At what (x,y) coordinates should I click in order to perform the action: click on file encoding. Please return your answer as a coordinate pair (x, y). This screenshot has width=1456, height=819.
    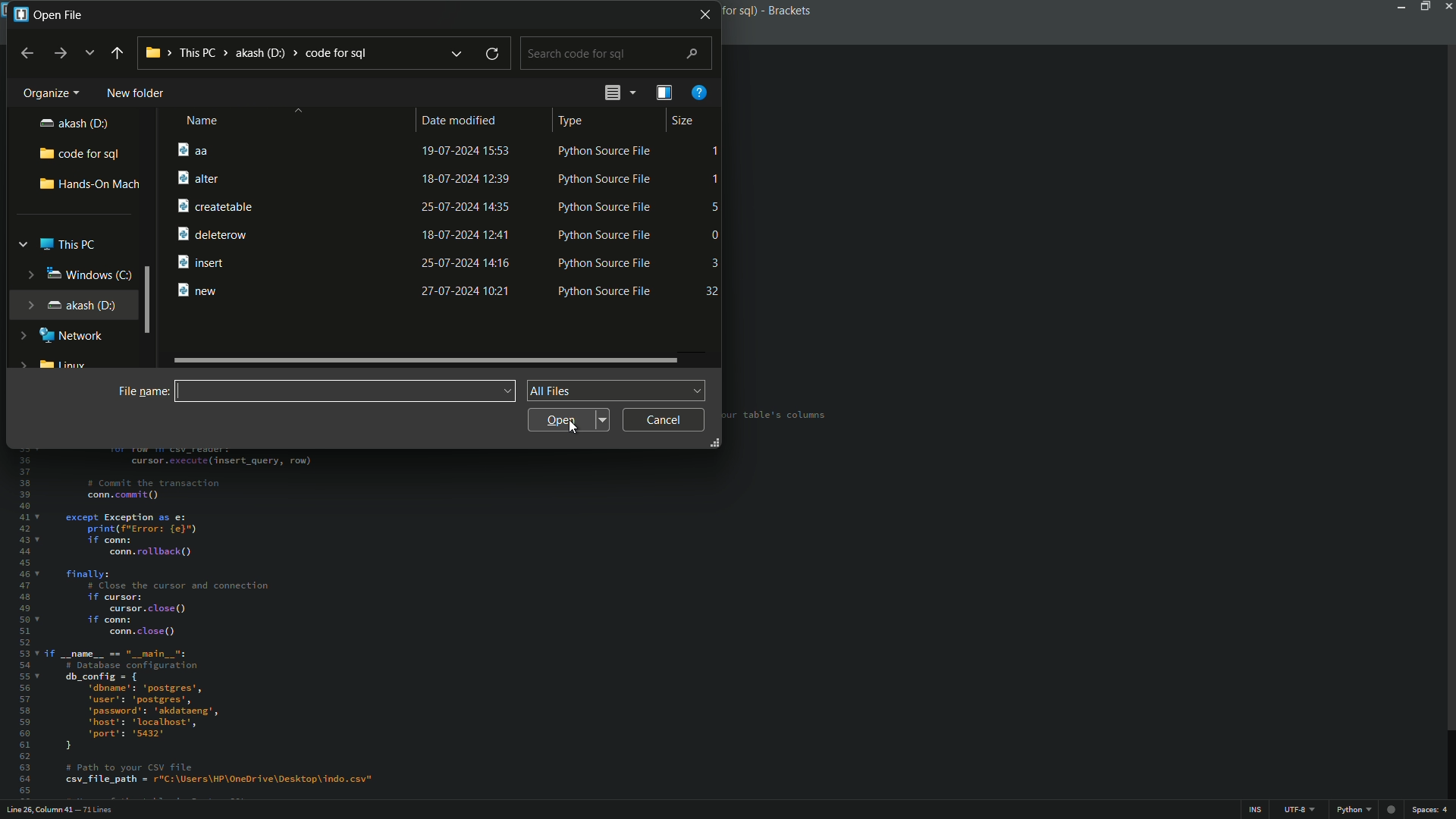
    Looking at the image, I should click on (1301, 811).